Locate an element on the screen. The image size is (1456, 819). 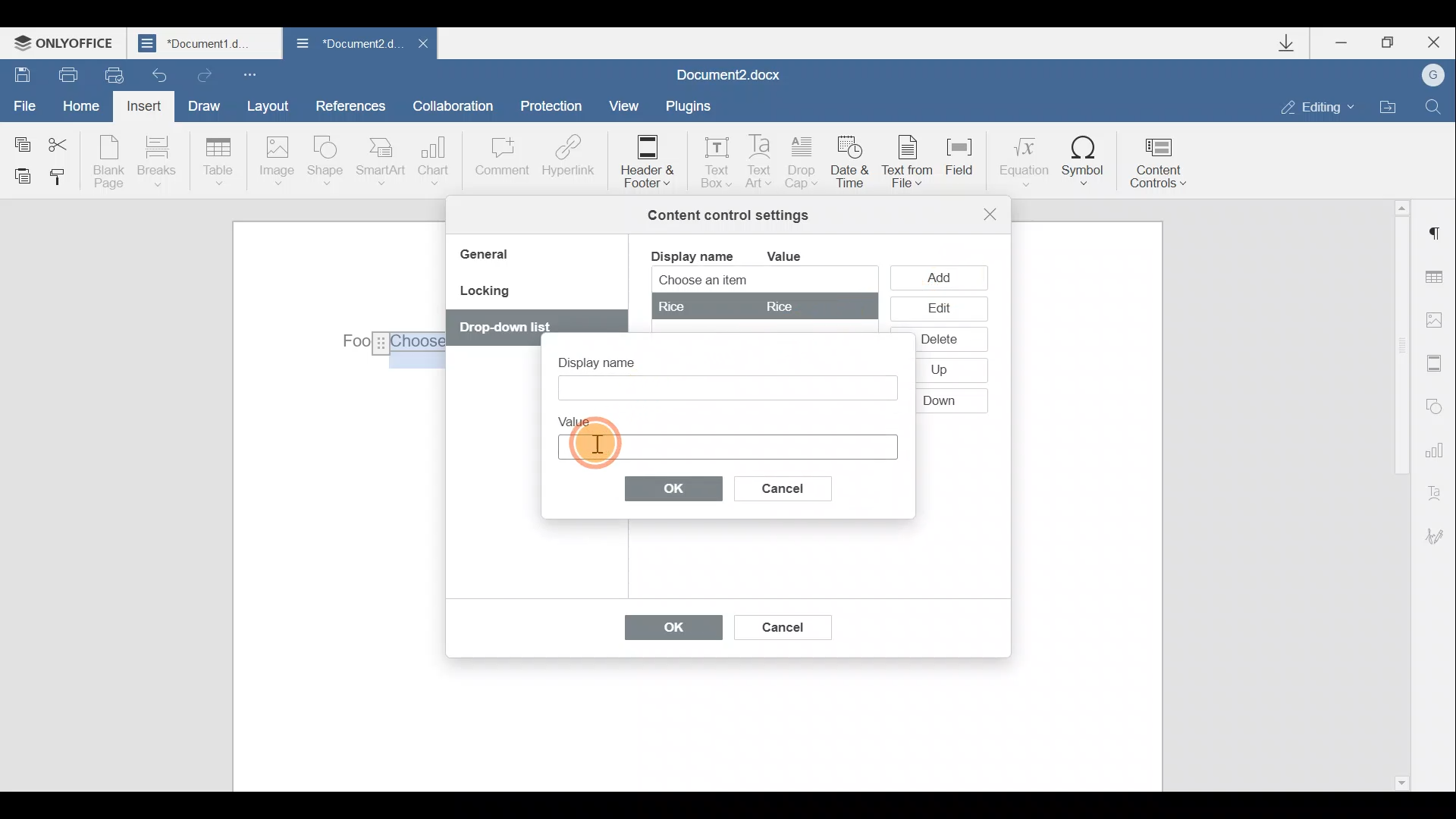
Layout is located at coordinates (267, 105).